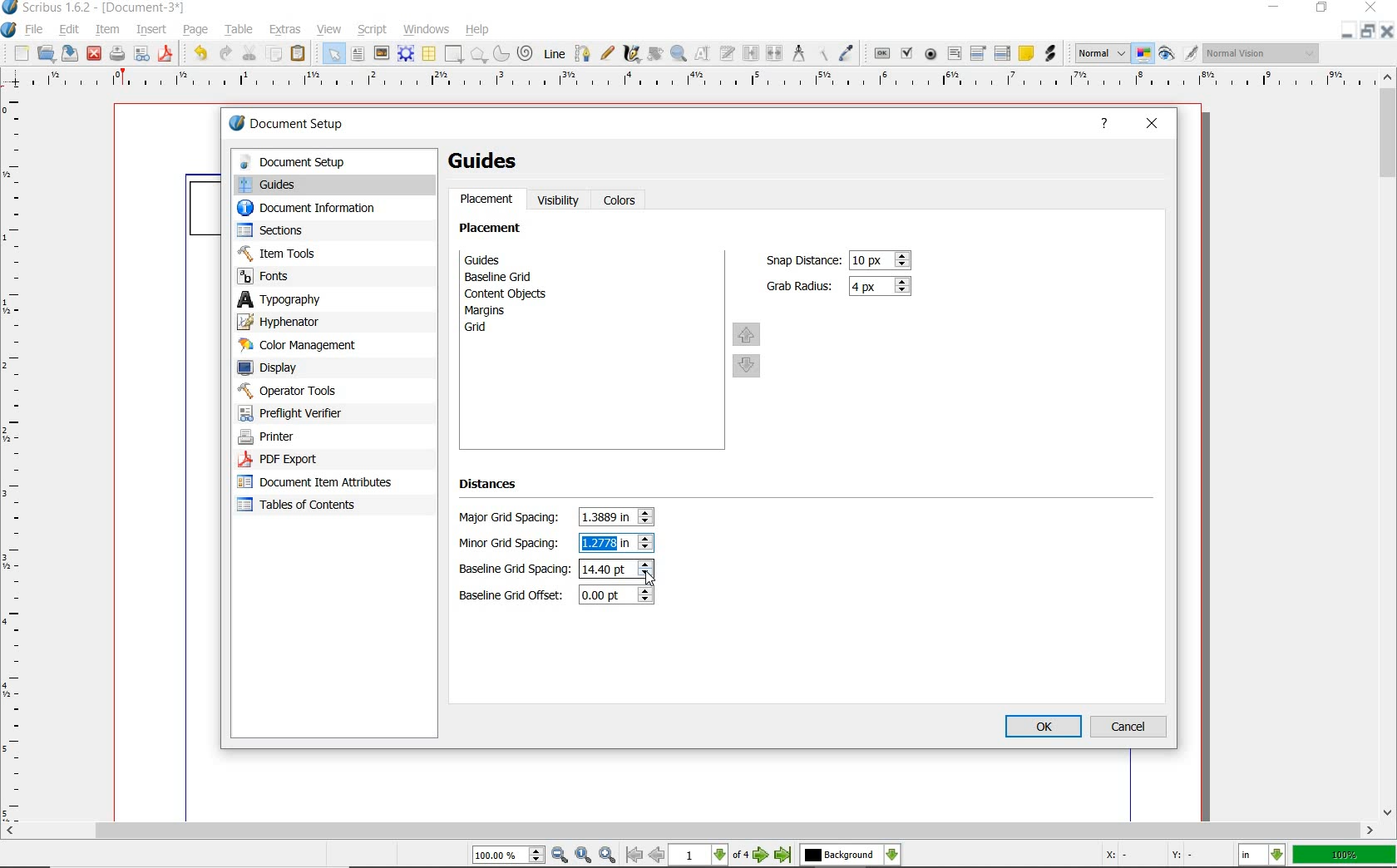 Image resolution: width=1397 pixels, height=868 pixels. What do you see at coordinates (1349, 31) in the screenshot?
I see `minimize` at bounding box center [1349, 31].